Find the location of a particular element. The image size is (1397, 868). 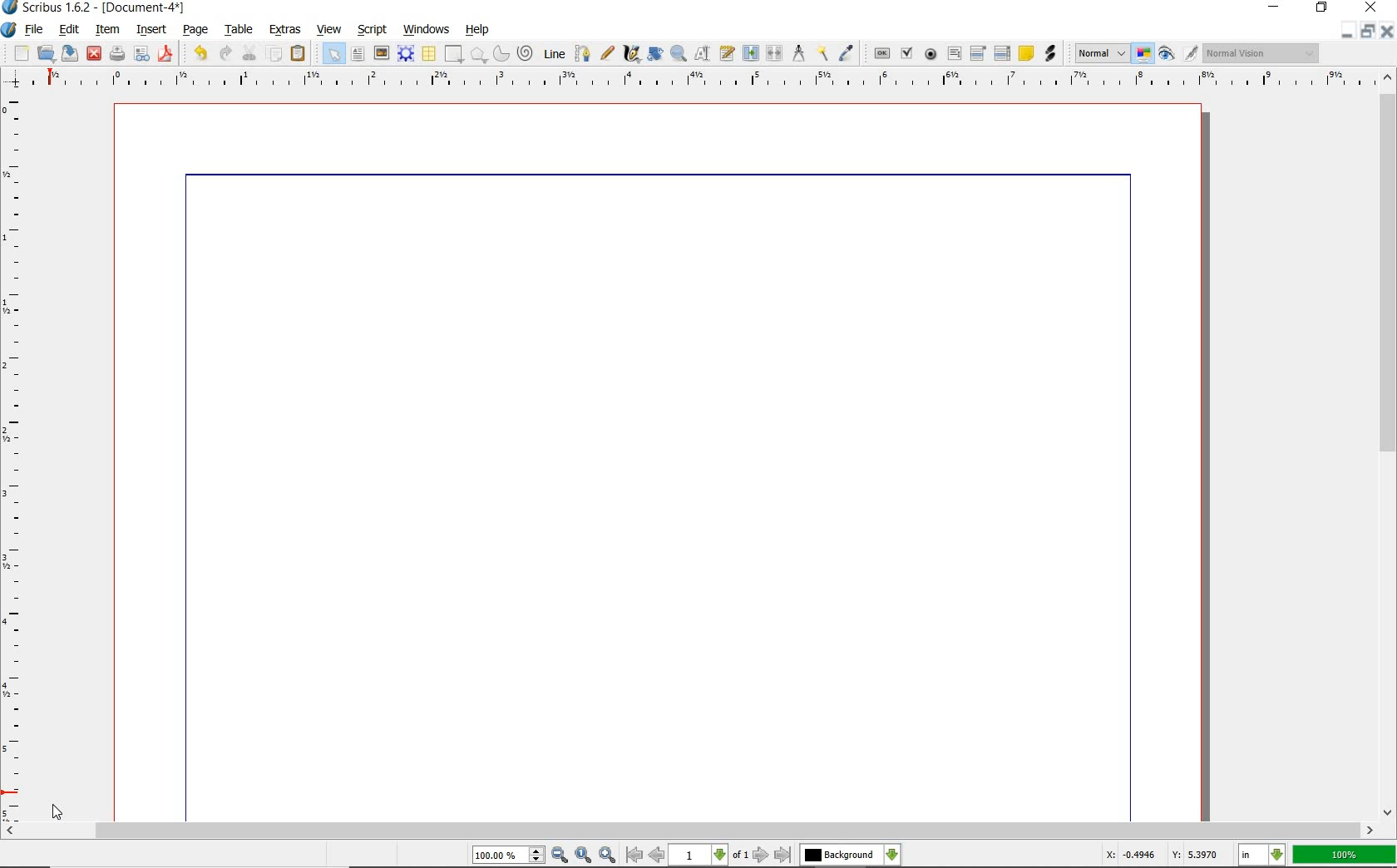

1 is located at coordinates (699, 856).